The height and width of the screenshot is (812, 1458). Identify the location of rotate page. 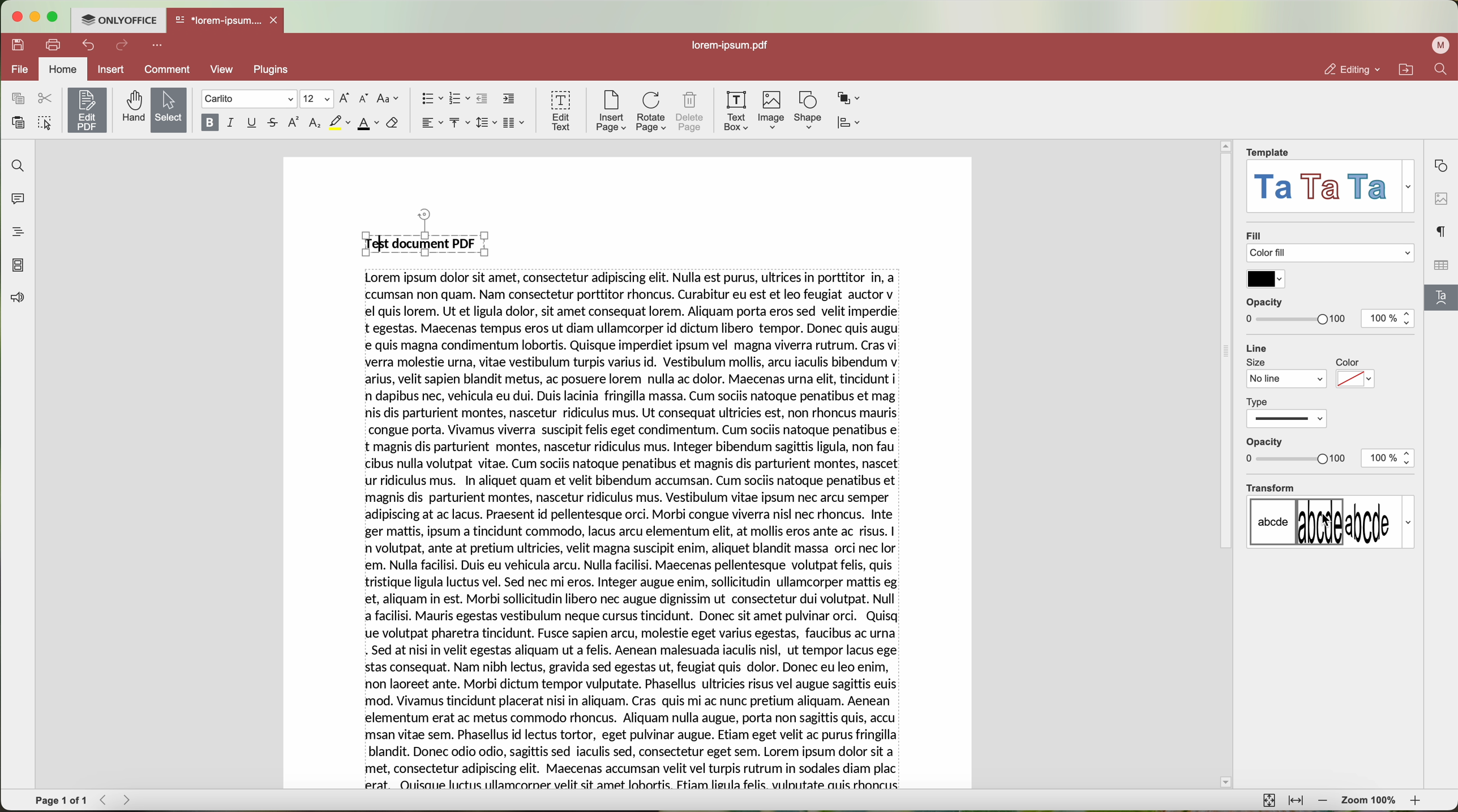
(652, 111).